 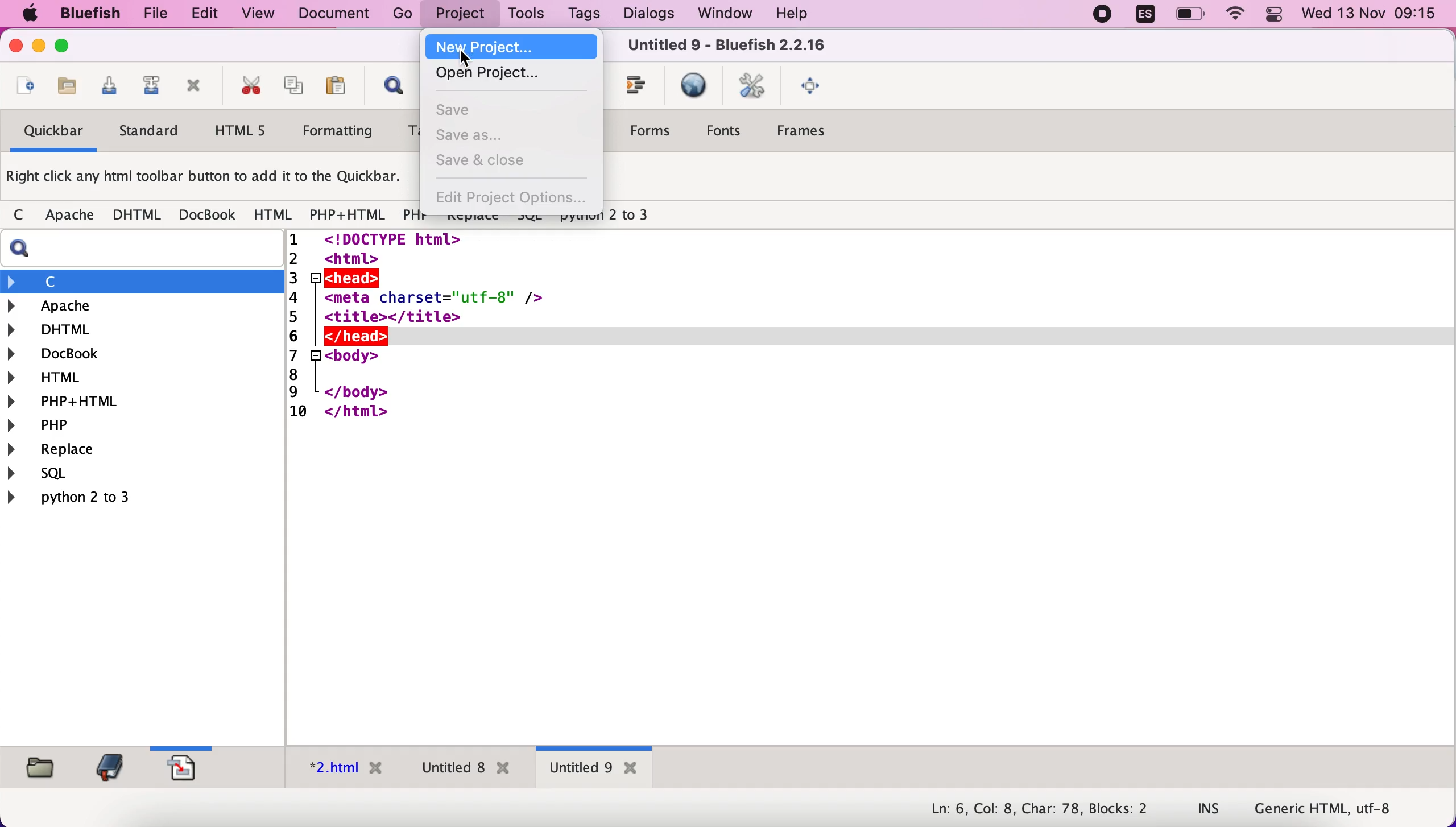 I want to click on indent, so click(x=636, y=89).